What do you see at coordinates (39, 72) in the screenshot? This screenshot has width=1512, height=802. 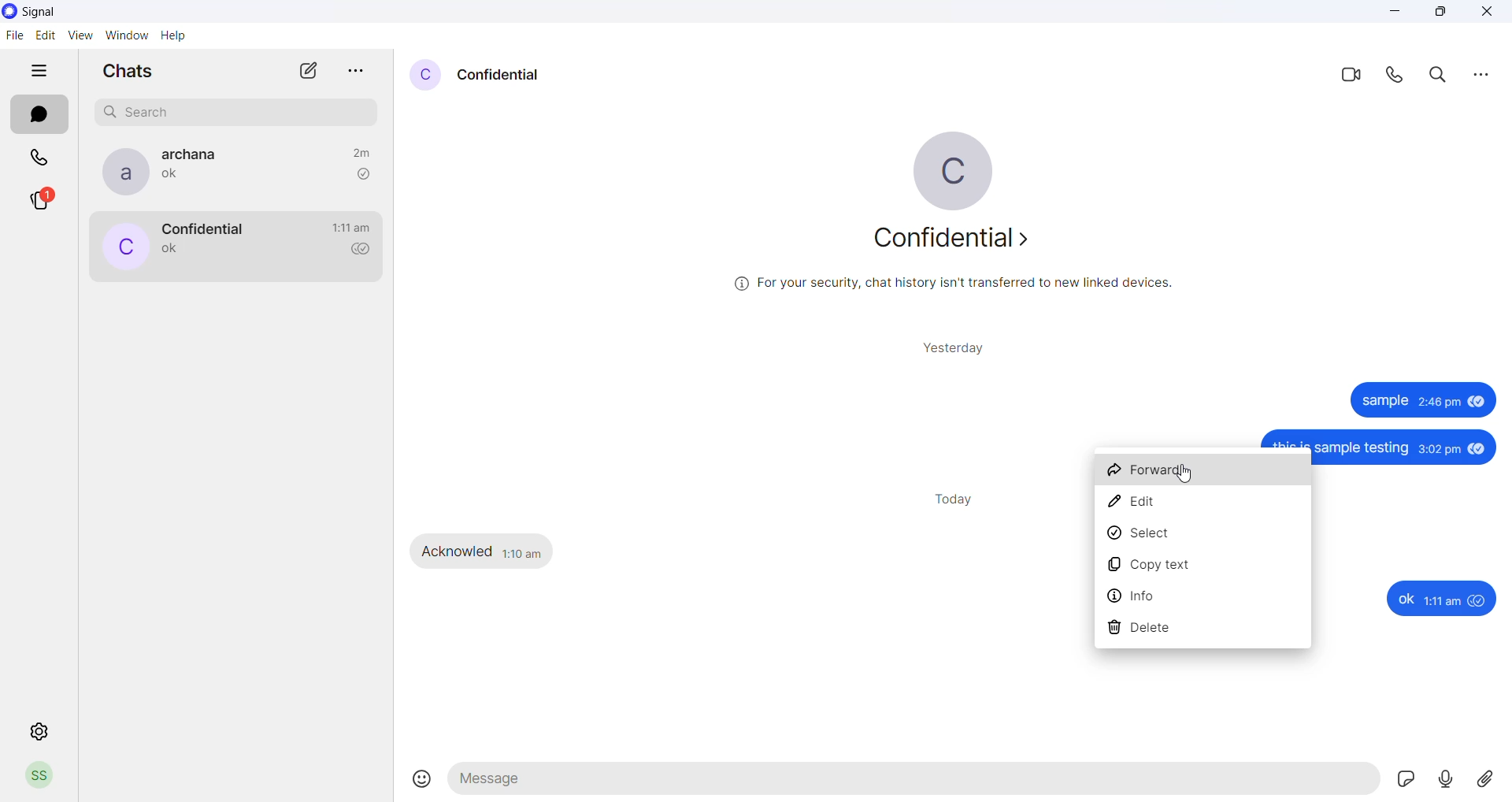 I see `hide` at bounding box center [39, 72].